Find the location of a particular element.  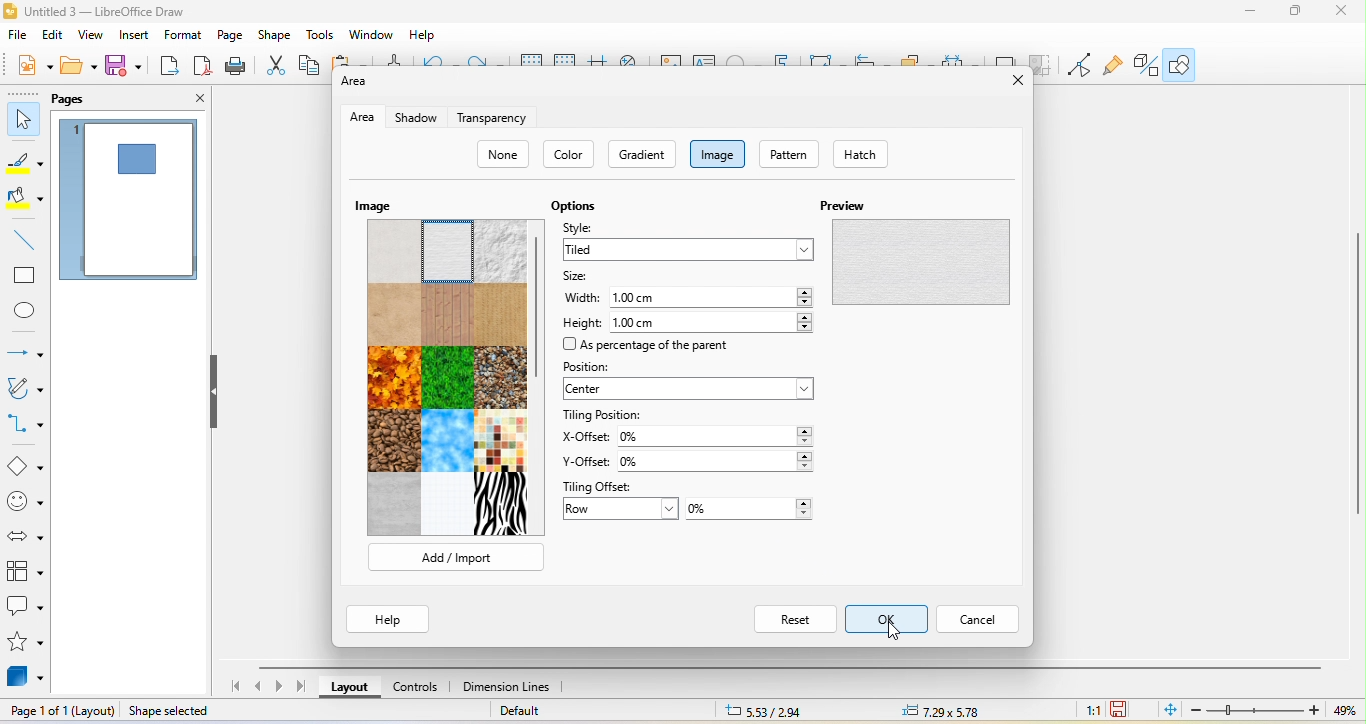

undo is located at coordinates (440, 60).